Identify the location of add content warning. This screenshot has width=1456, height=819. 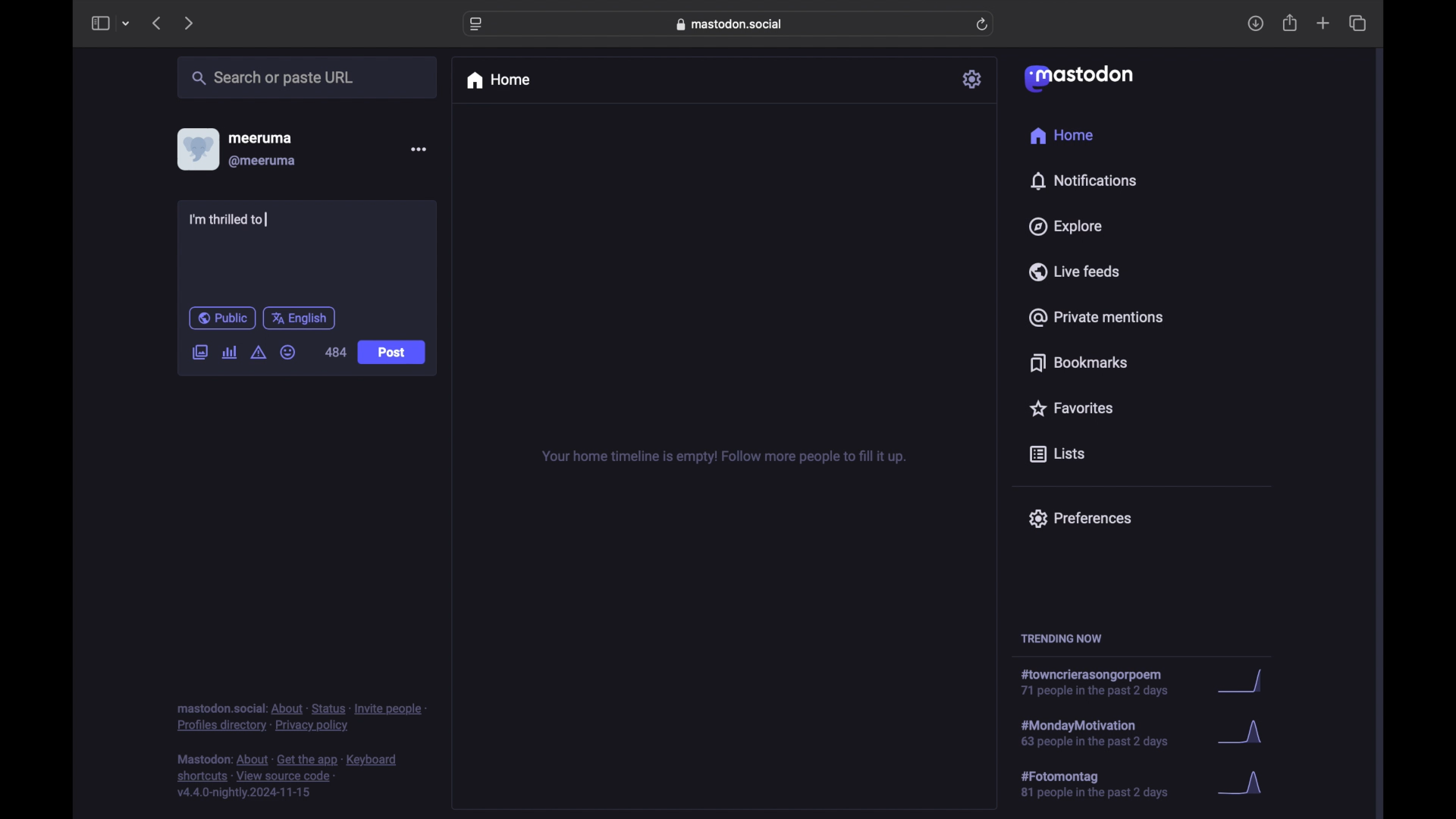
(260, 353).